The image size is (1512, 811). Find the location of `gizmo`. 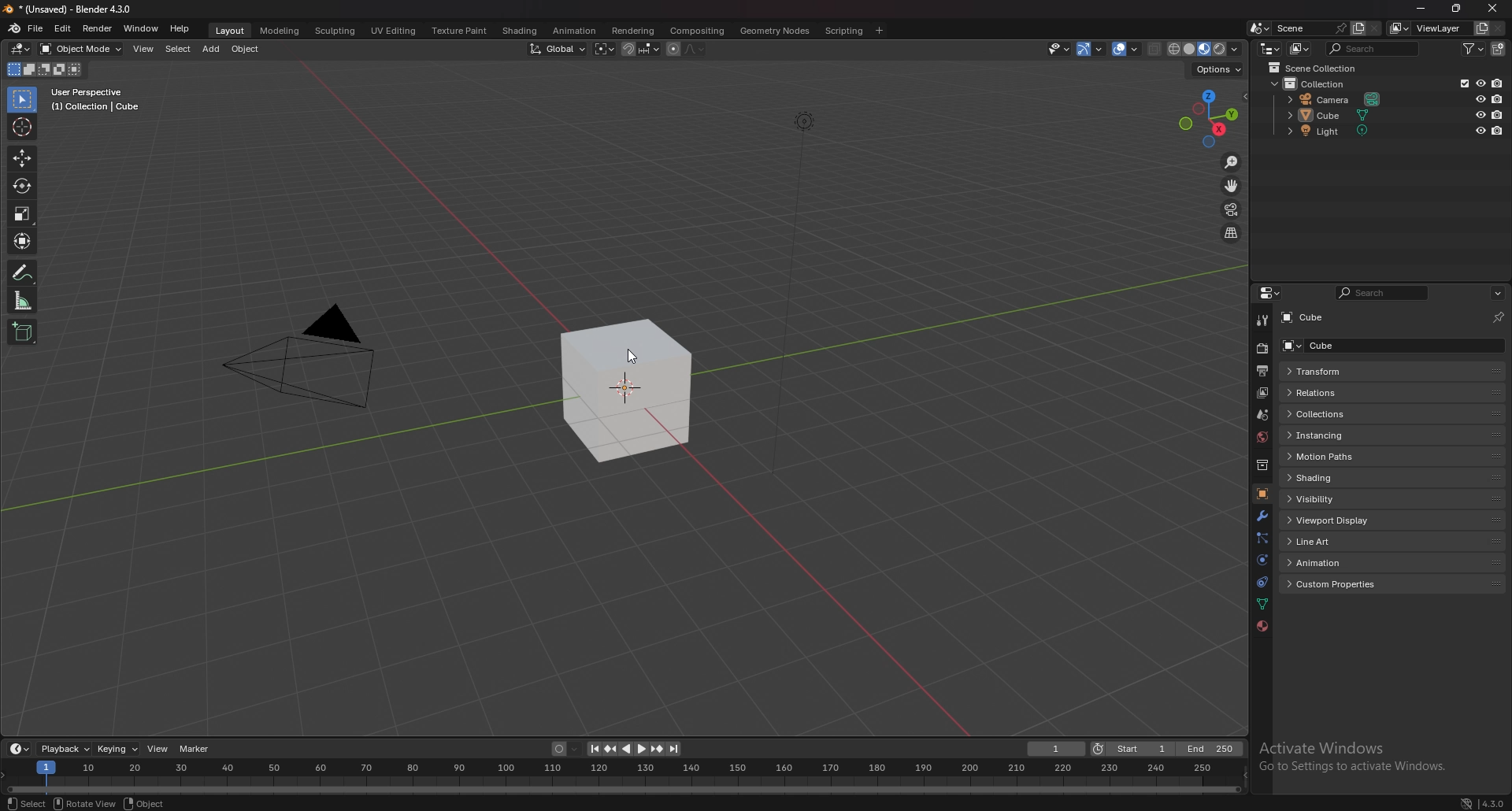

gizmo is located at coordinates (1092, 49).